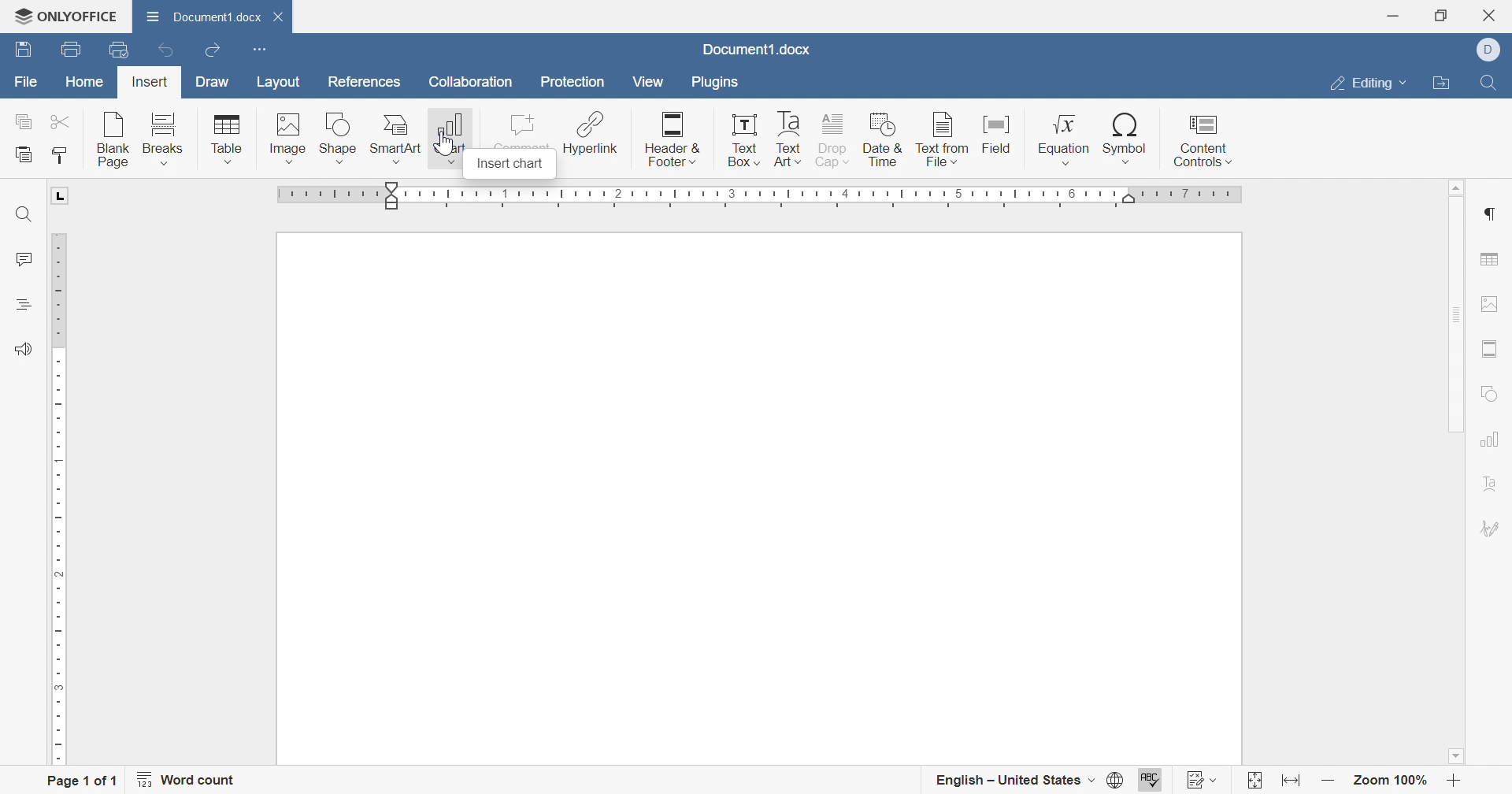 The width and height of the screenshot is (1512, 794). What do you see at coordinates (1496, 483) in the screenshot?
I see `Text Art Settings` at bounding box center [1496, 483].